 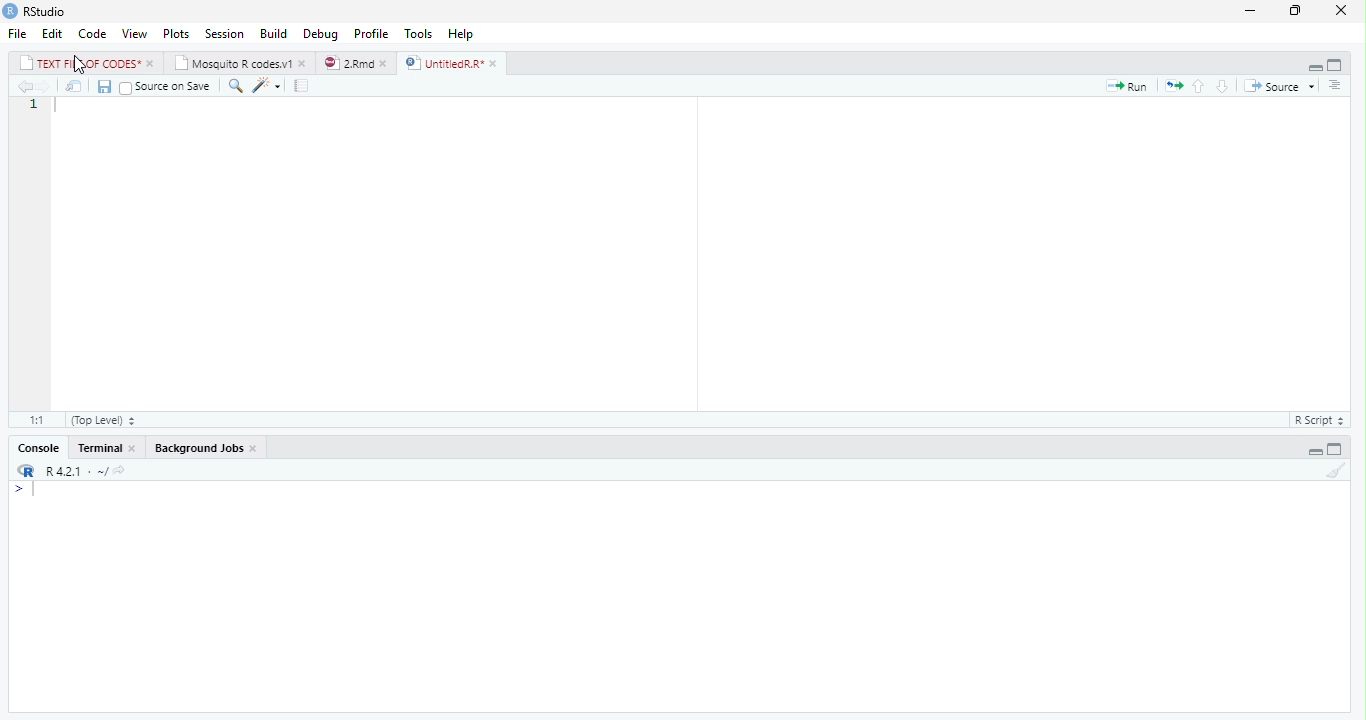 What do you see at coordinates (202, 448) in the screenshot?
I see `Background Jobs` at bounding box center [202, 448].